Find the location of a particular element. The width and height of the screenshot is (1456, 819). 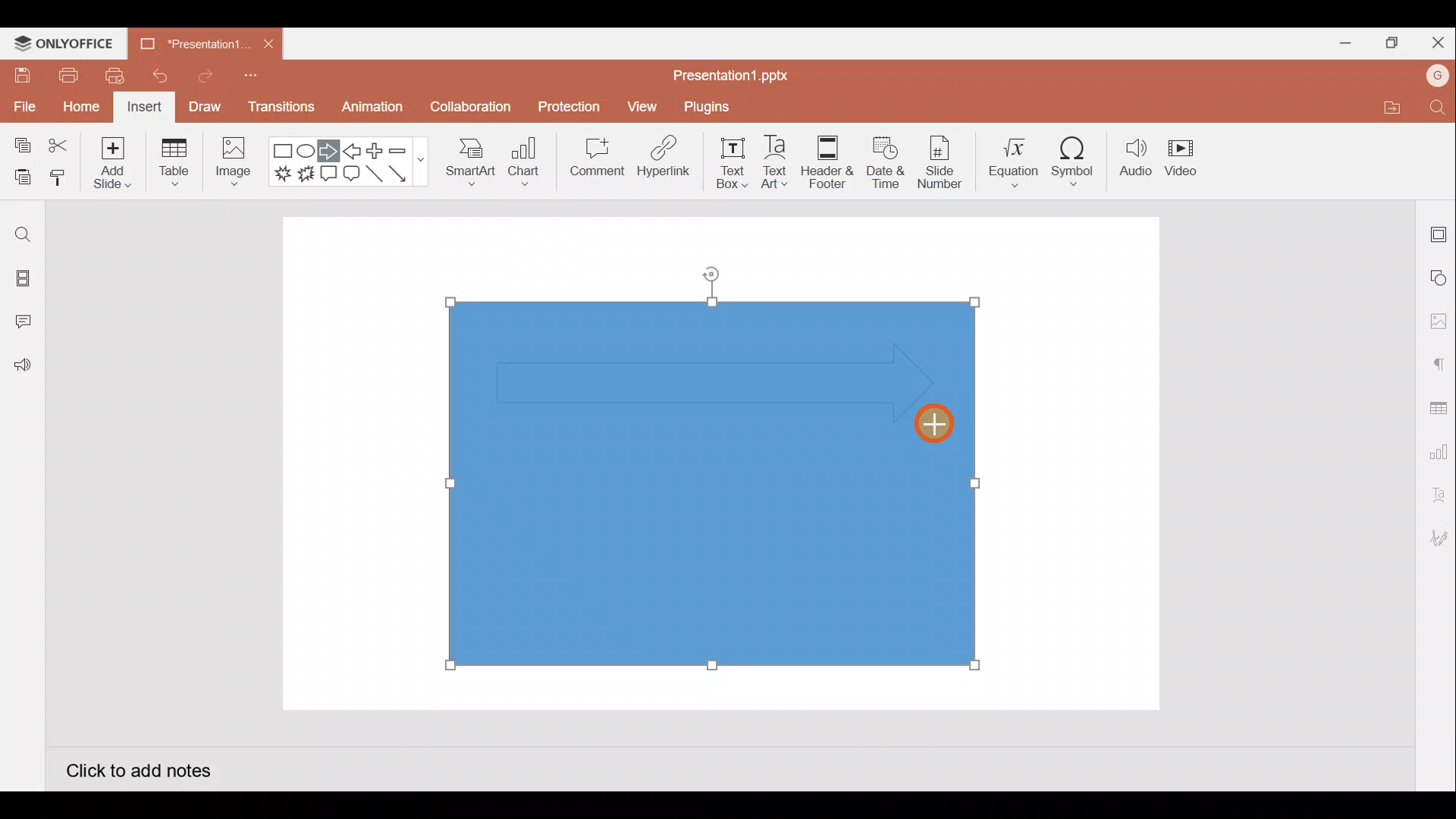

Header & footer is located at coordinates (828, 158).